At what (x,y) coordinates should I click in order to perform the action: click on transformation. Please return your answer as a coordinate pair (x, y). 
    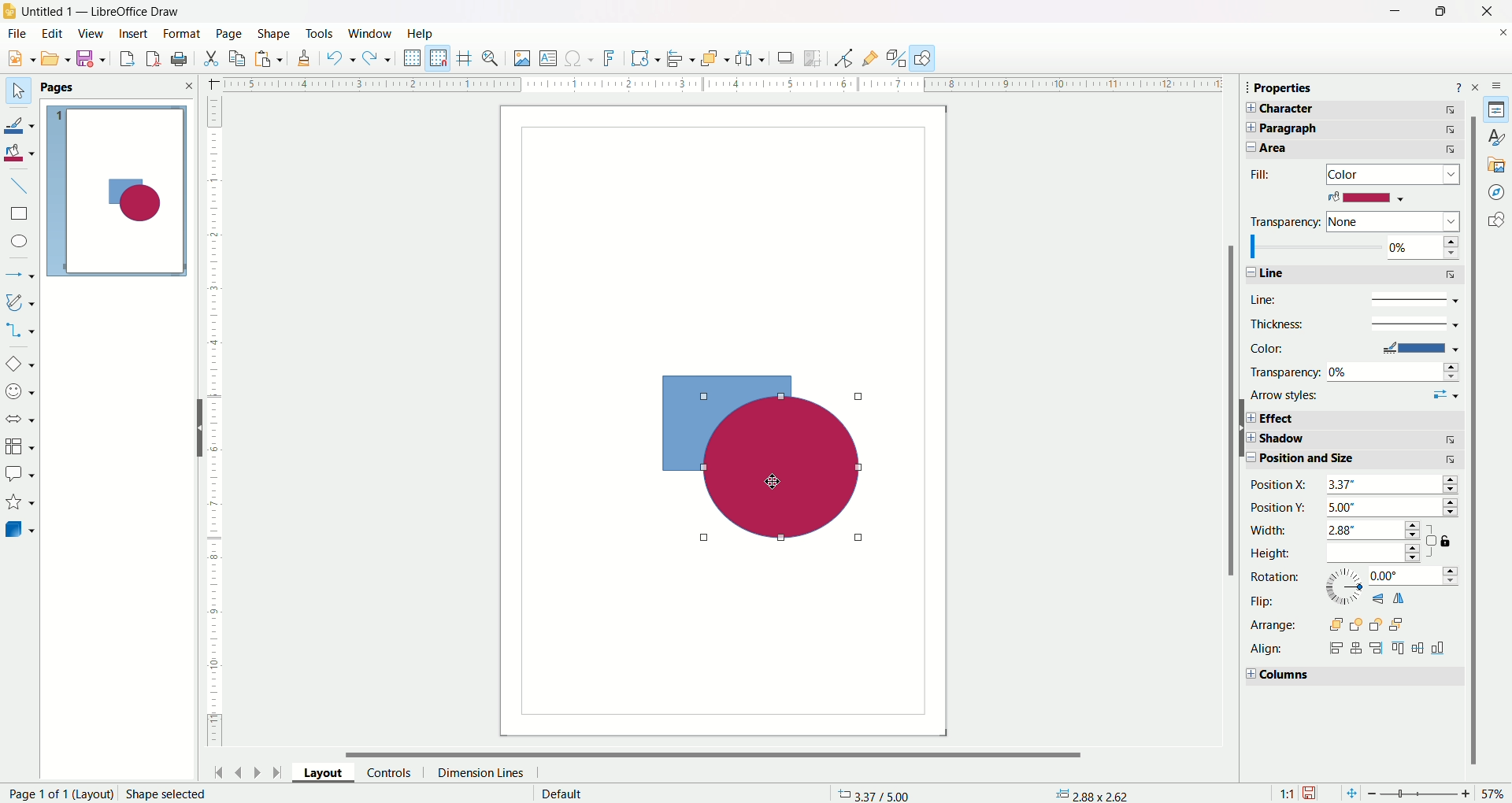
    Looking at the image, I should click on (647, 57).